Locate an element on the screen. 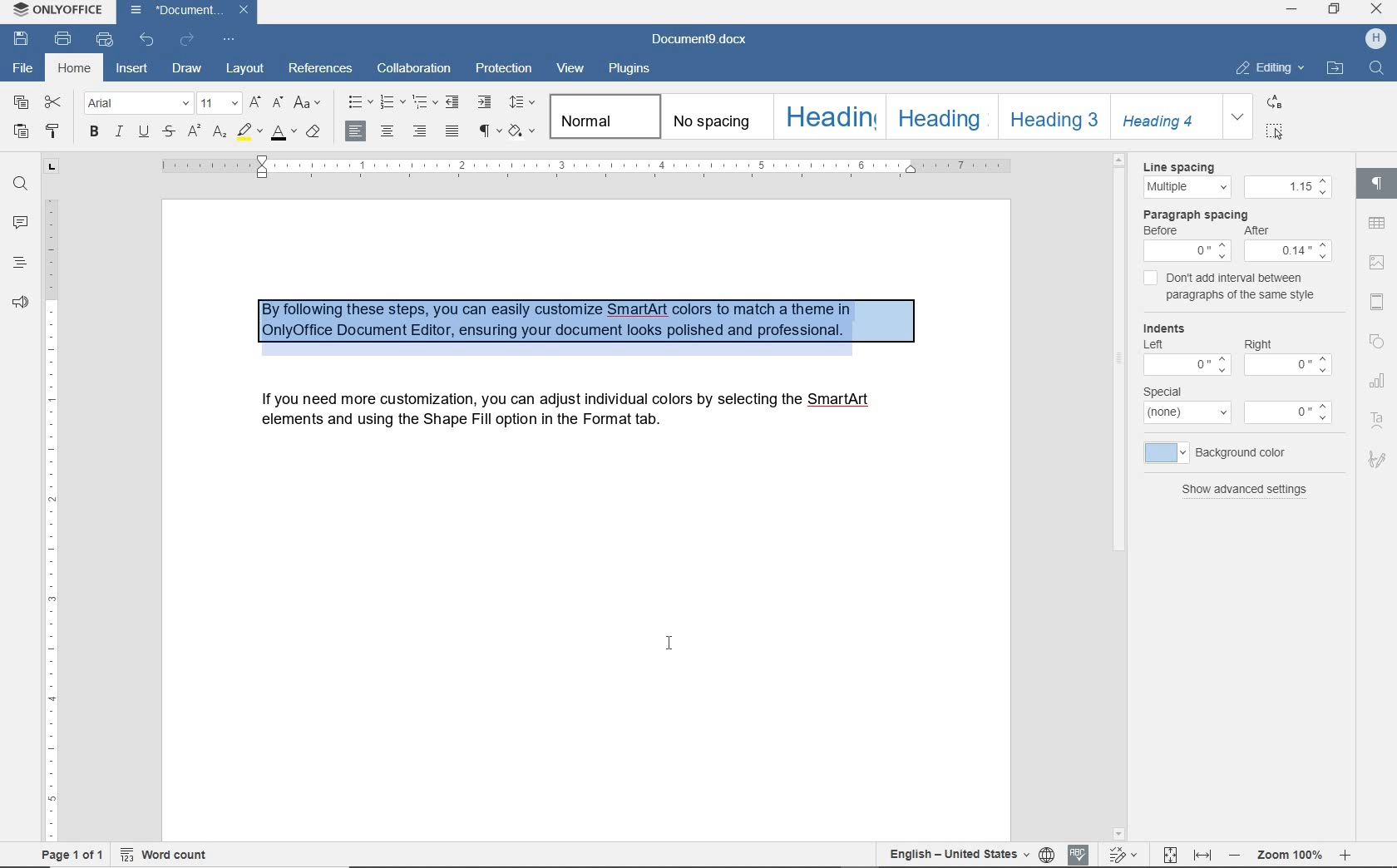 This screenshot has height=868, width=1397. feedback & support is located at coordinates (20, 303).